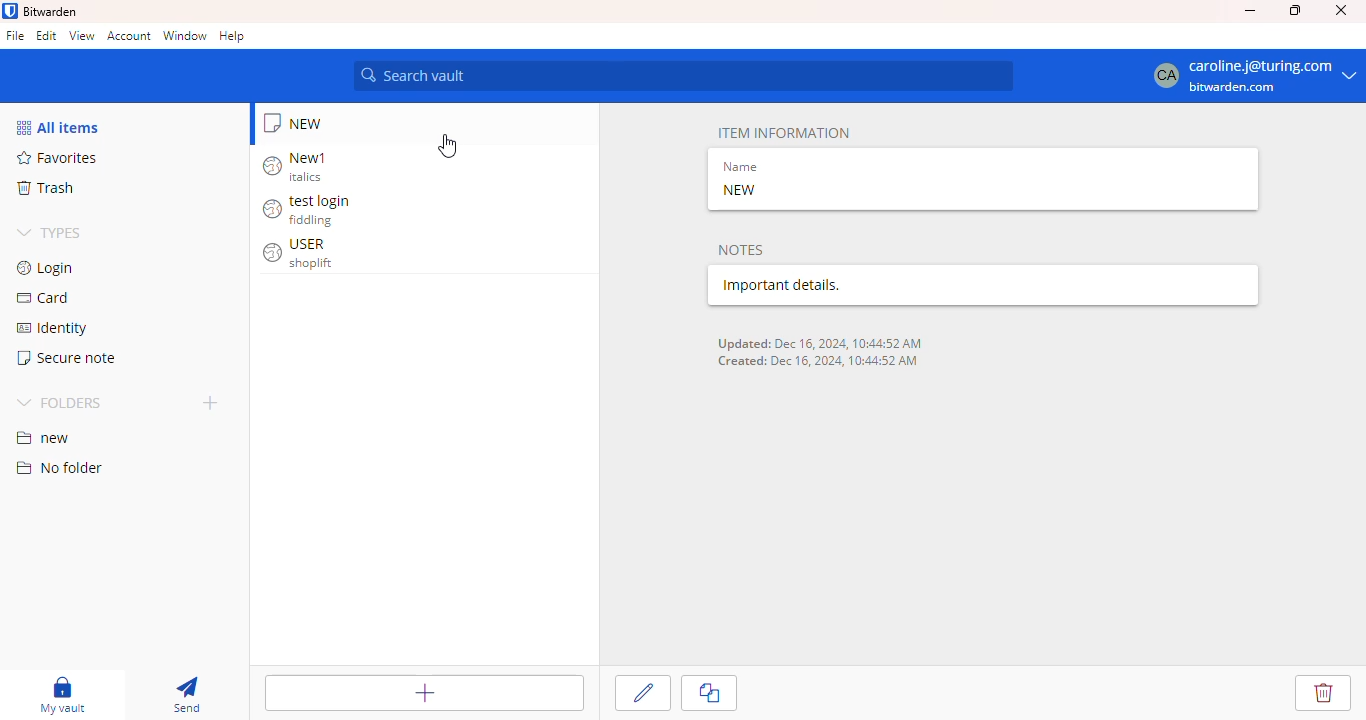 This screenshot has height=720, width=1366. What do you see at coordinates (51, 329) in the screenshot?
I see `identity` at bounding box center [51, 329].